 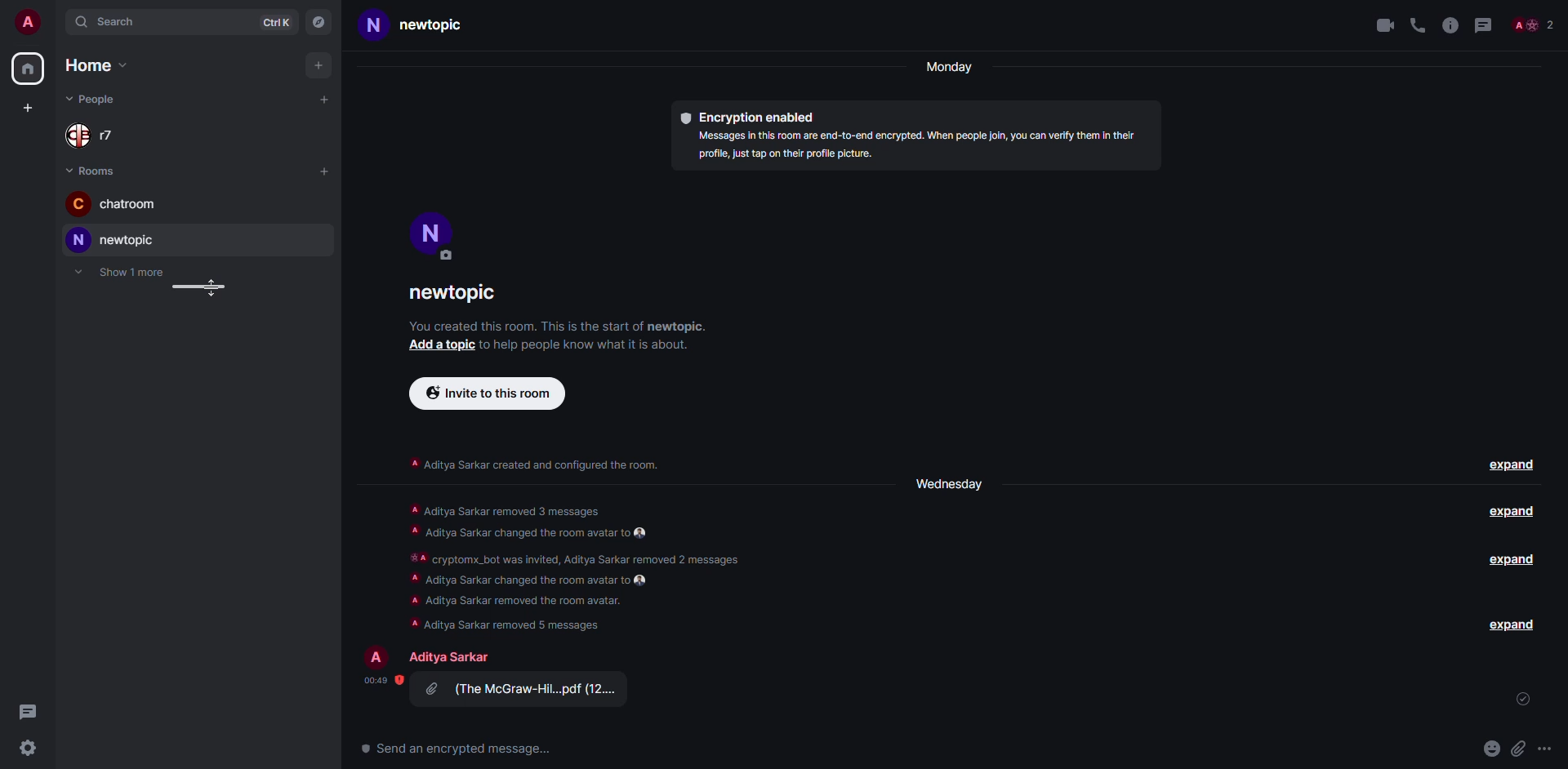 What do you see at coordinates (1510, 513) in the screenshot?
I see `expand` at bounding box center [1510, 513].